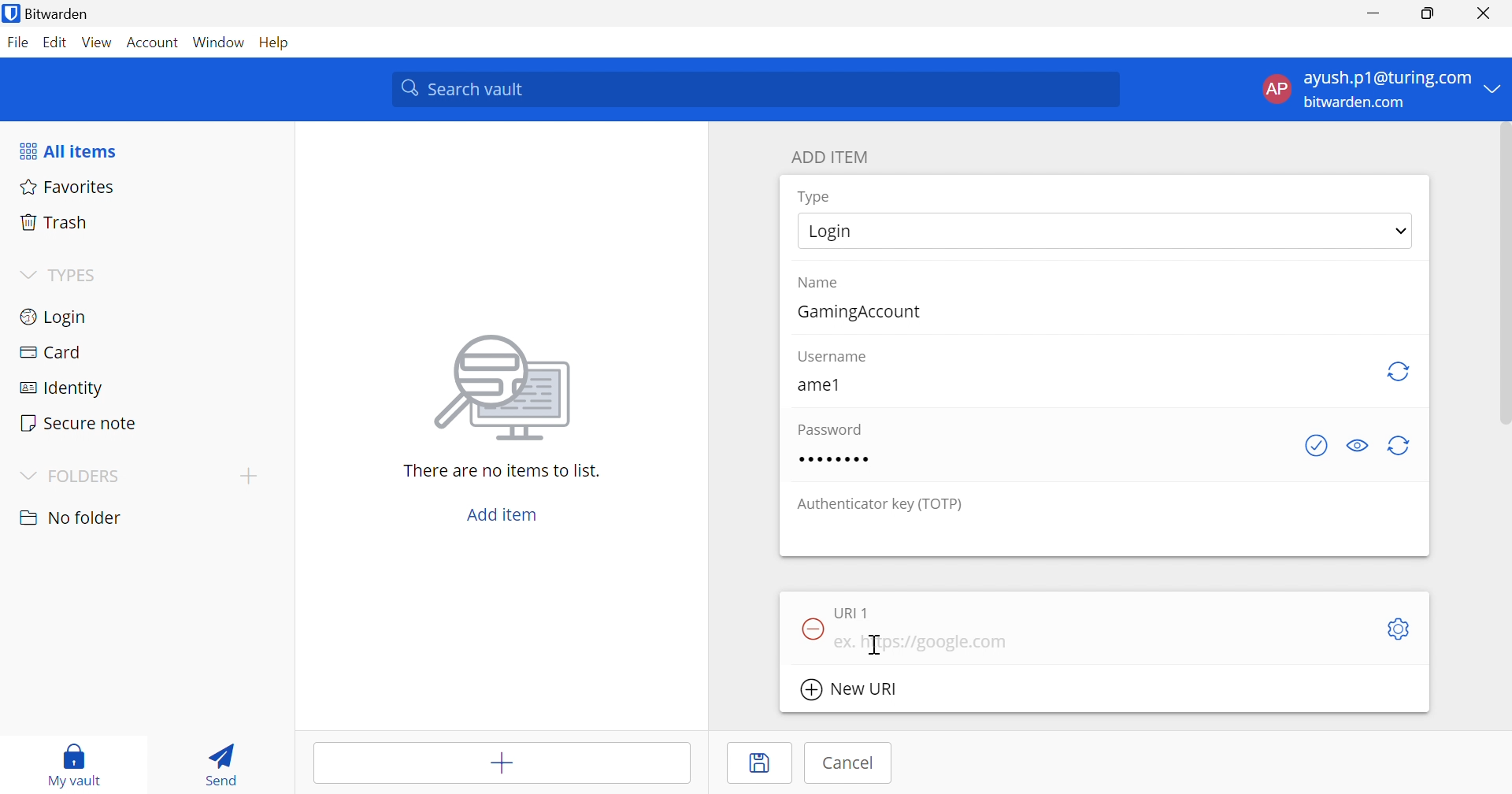 The height and width of the screenshot is (794, 1512). Describe the element at coordinates (154, 41) in the screenshot. I see `Account` at that location.